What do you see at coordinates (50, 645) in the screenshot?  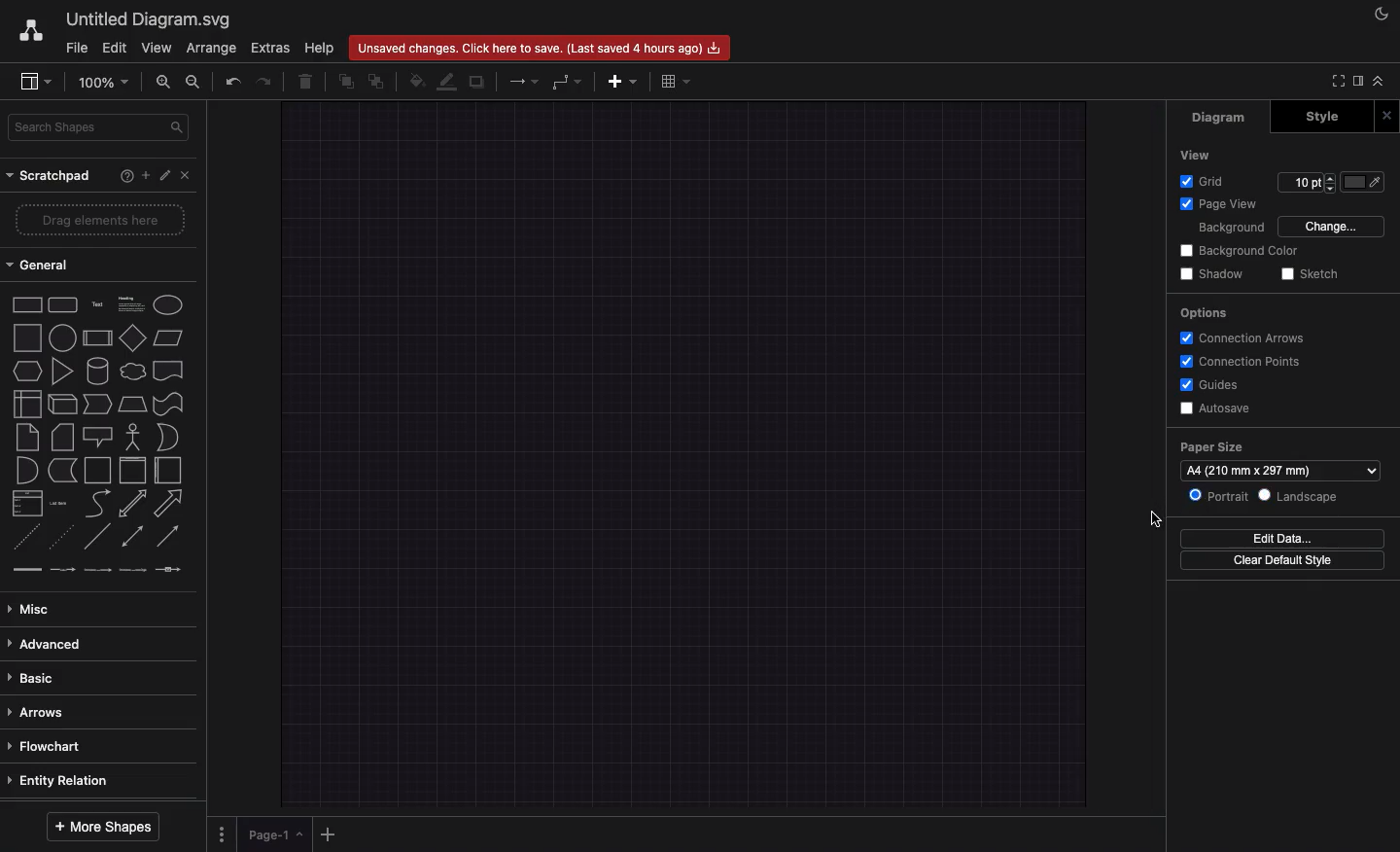 I see `Advanced` at bounding box center [50, 645].